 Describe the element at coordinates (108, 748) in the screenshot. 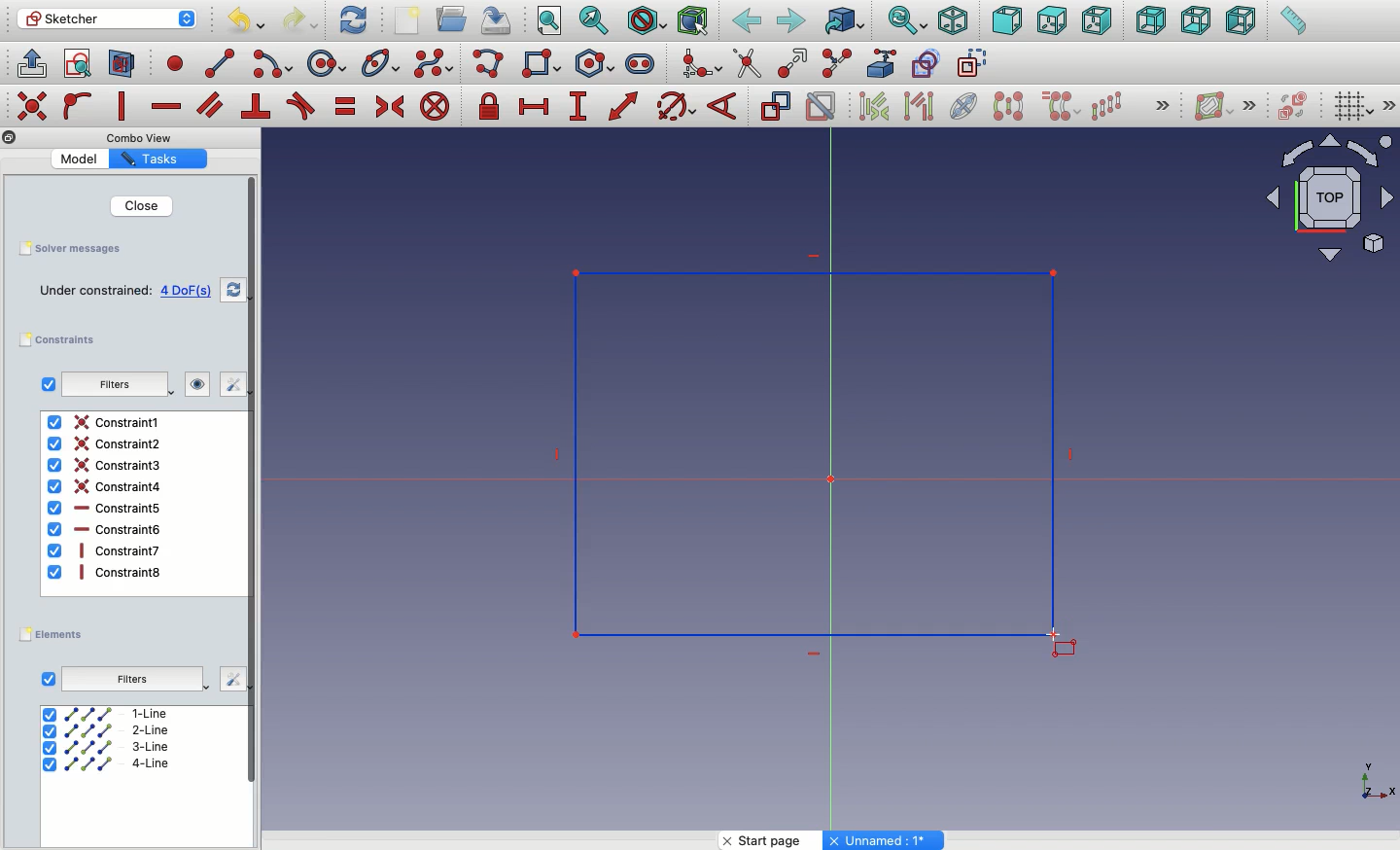

I see `3-line` at that location.